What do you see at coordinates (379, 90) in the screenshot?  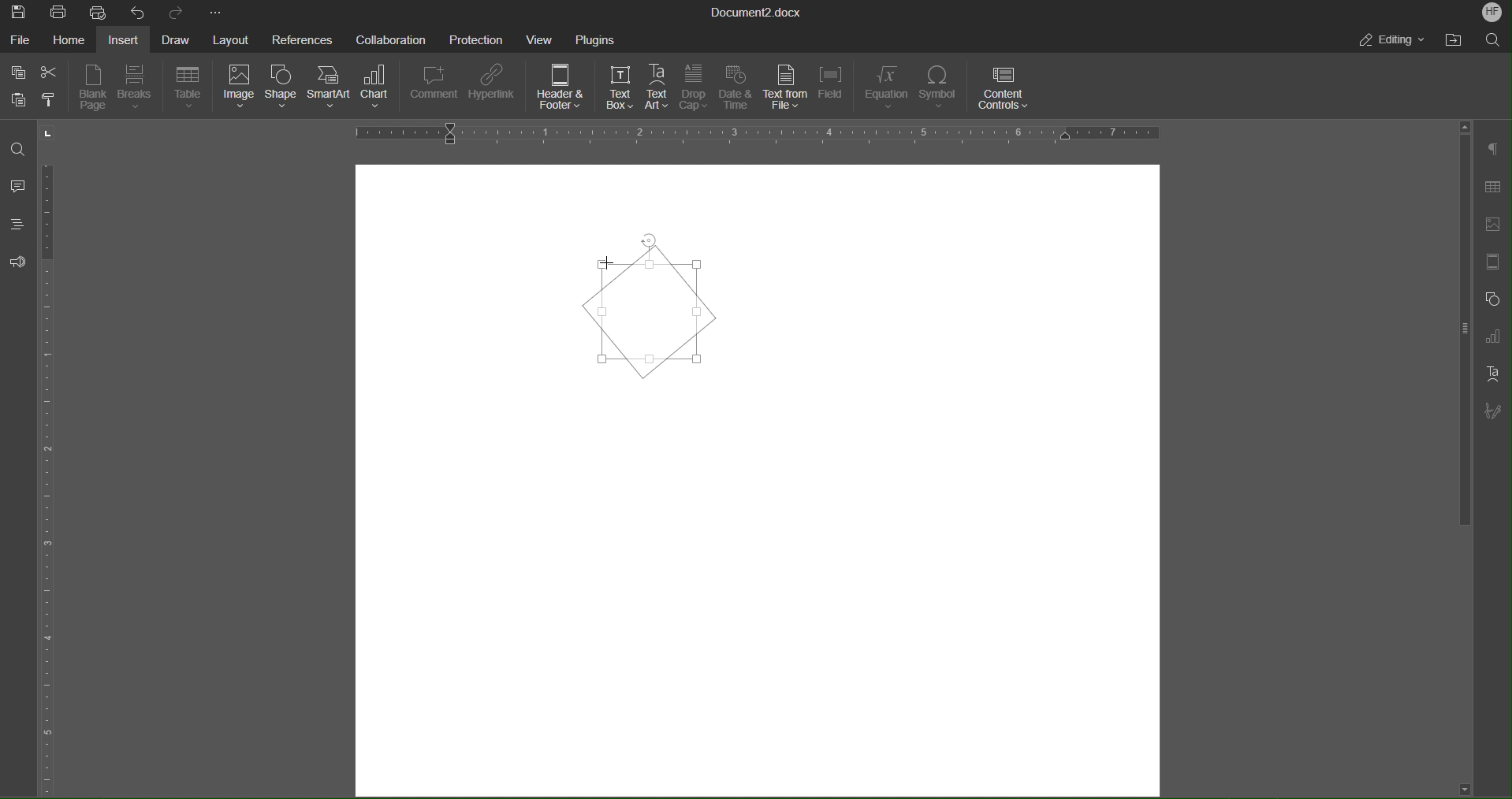 I see `Chart` at bounding box center [379, 90].